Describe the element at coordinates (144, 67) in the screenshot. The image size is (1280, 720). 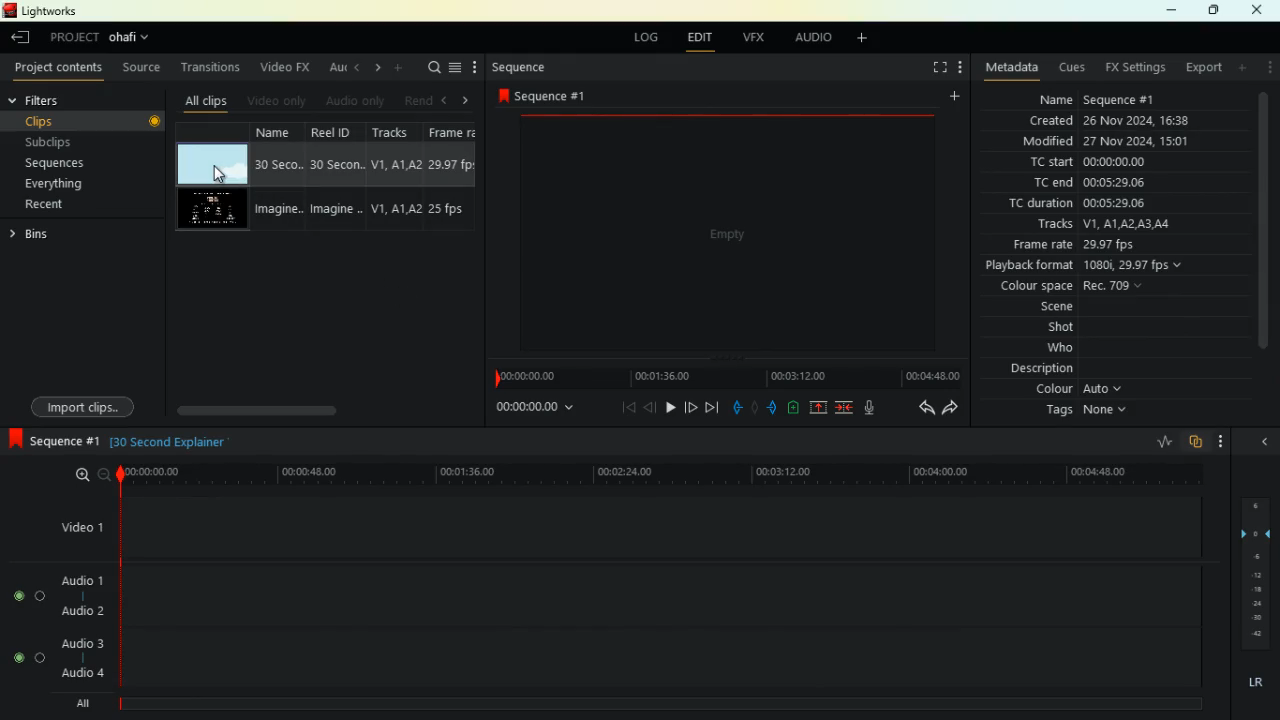
I see `source` at that location.